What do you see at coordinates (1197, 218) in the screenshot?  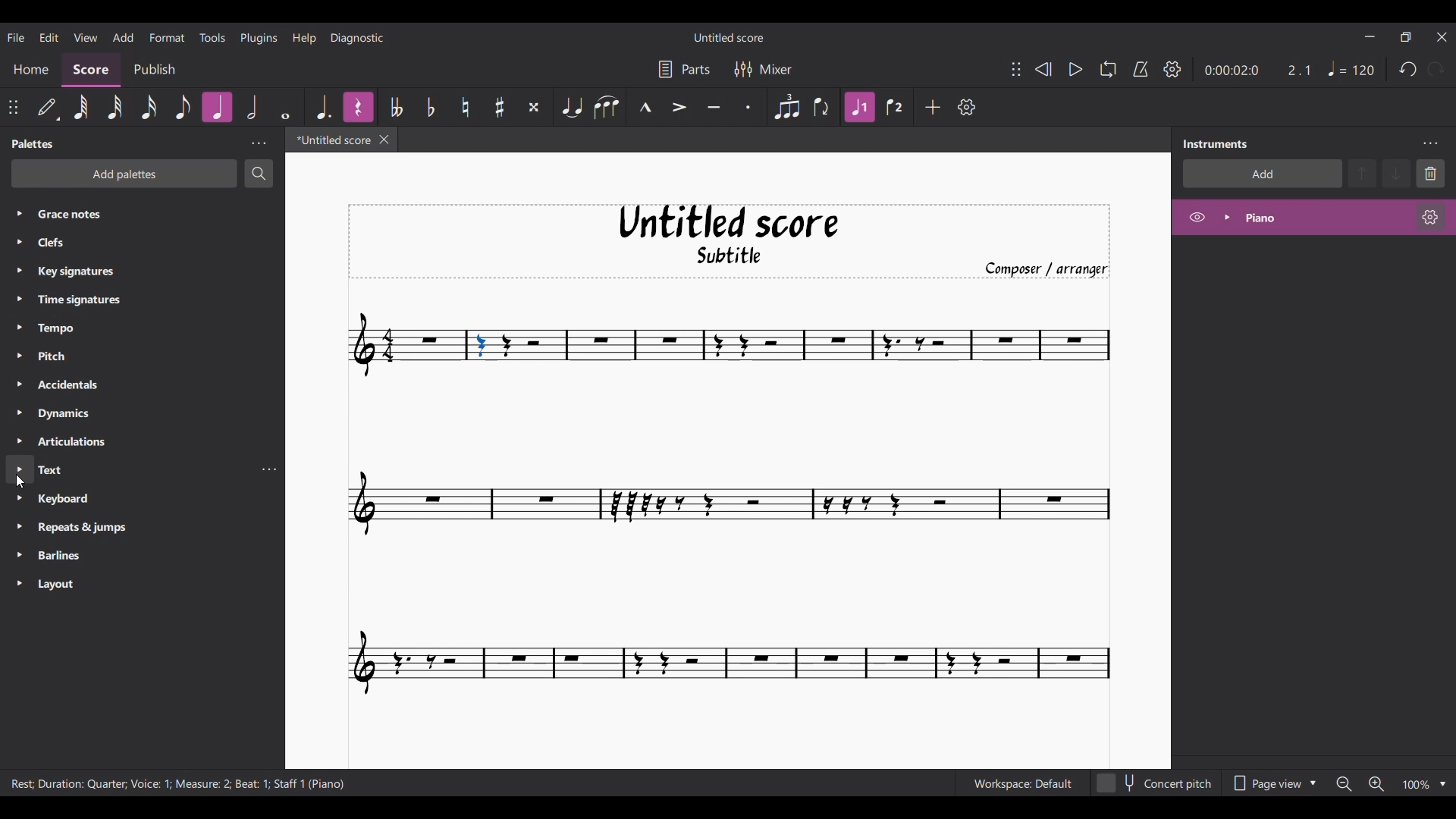 I see `Hide piano` at bounding box center [1197, 218].